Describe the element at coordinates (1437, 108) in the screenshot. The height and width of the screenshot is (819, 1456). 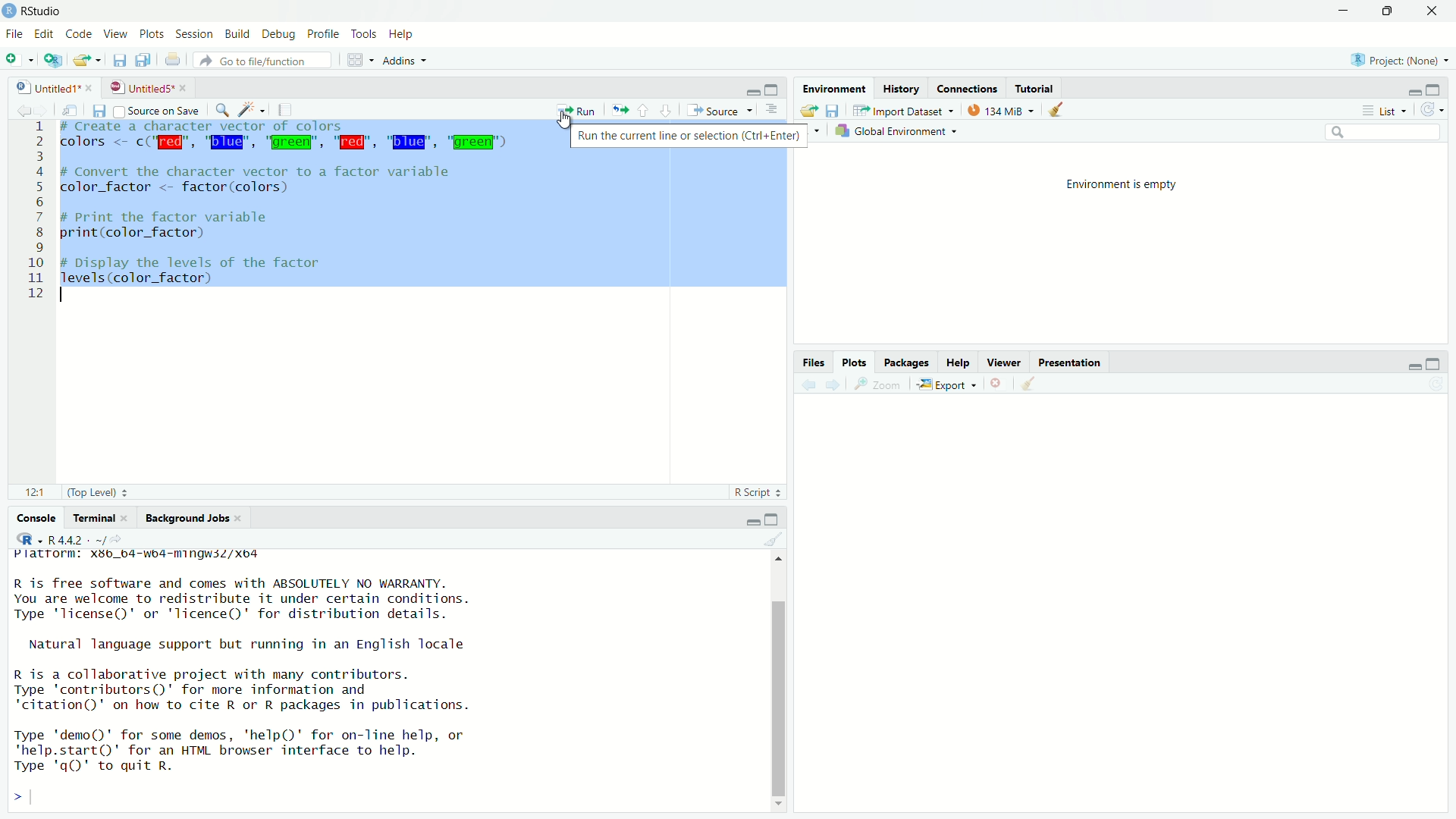
I see `refresh` at that location.